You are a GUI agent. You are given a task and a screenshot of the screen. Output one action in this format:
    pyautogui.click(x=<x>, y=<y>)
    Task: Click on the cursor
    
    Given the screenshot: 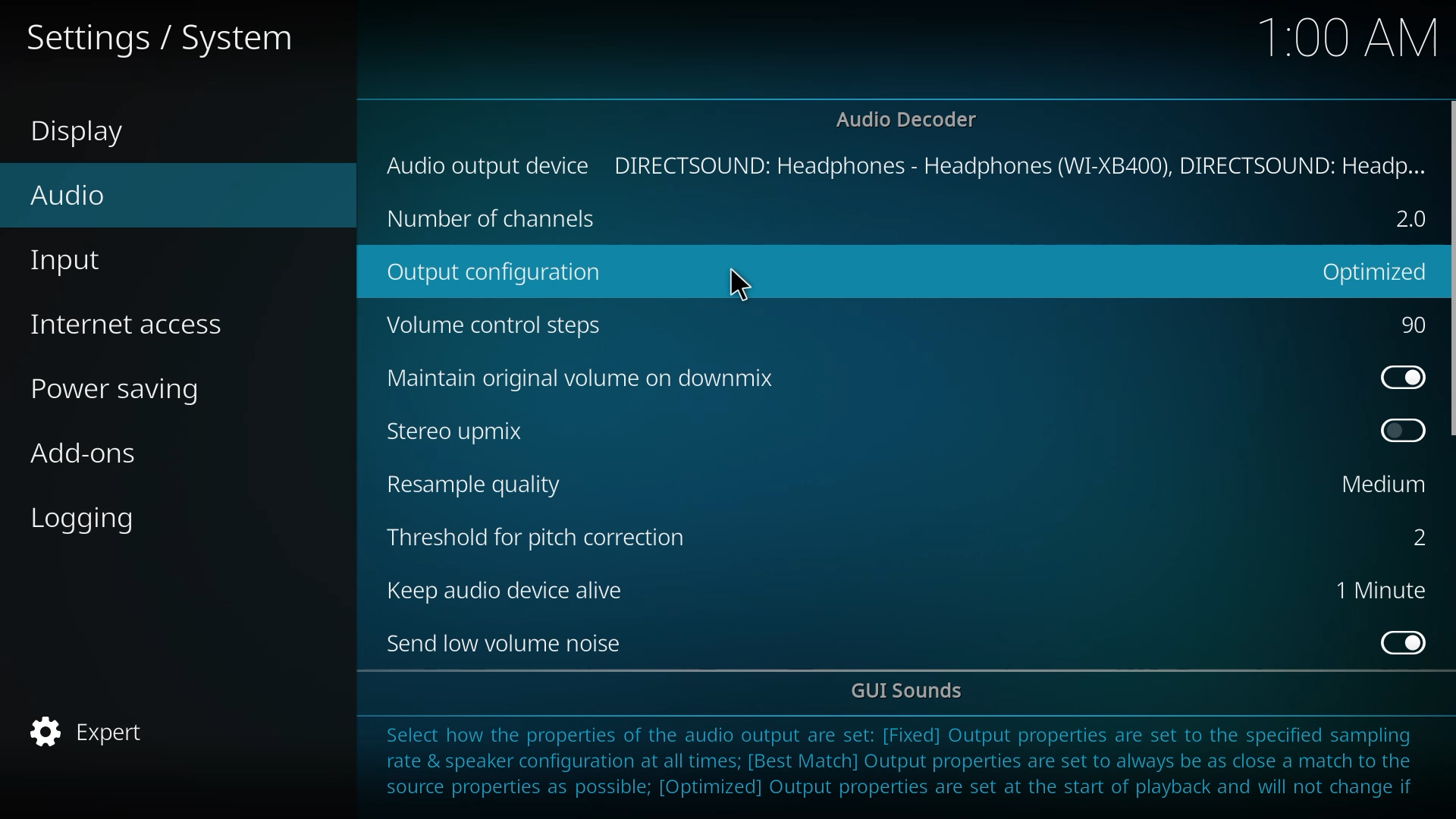 What is the action you would take?
    pyautogui.click(x=739, y=284)
    